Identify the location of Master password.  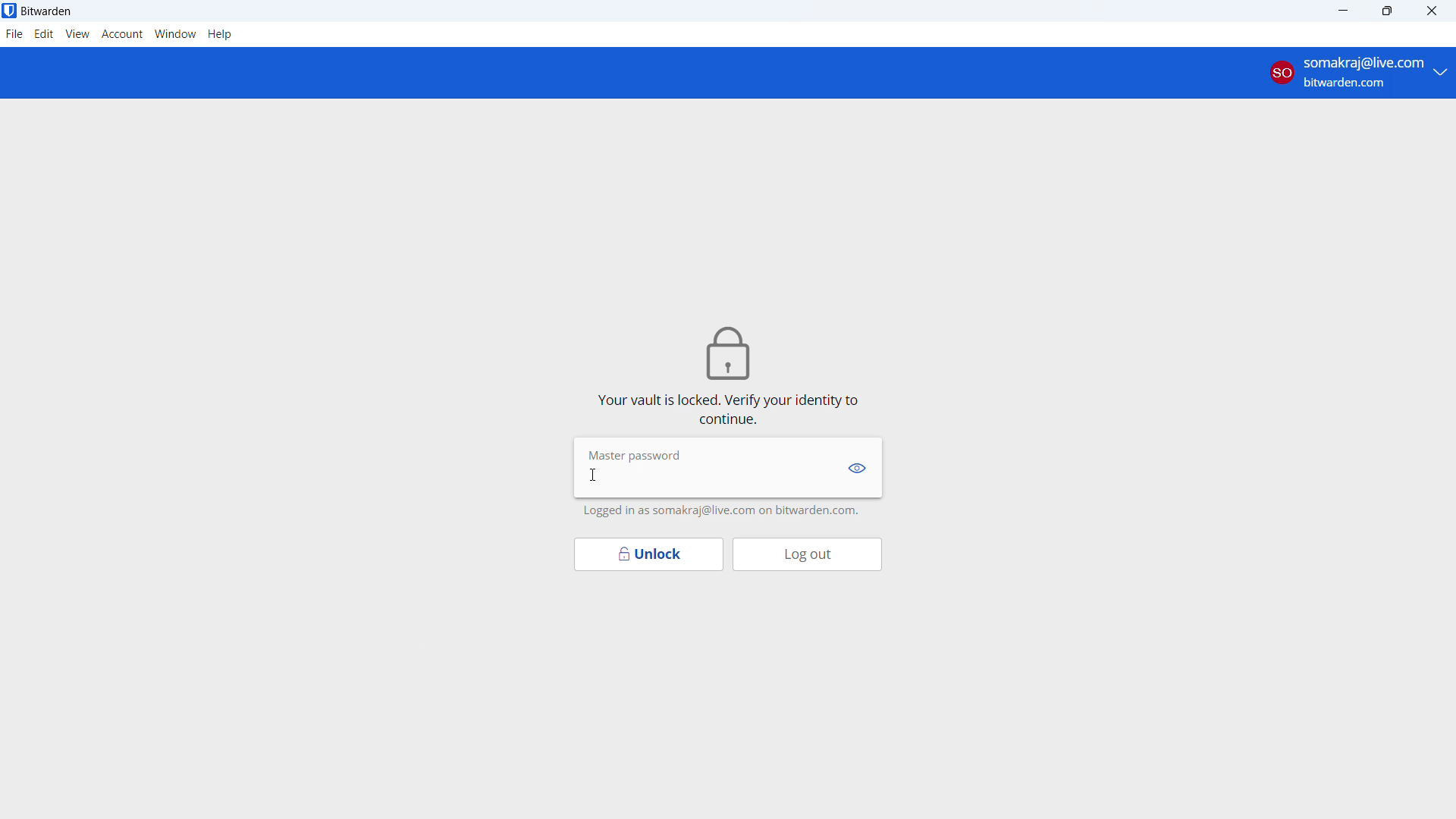
(636, 454).